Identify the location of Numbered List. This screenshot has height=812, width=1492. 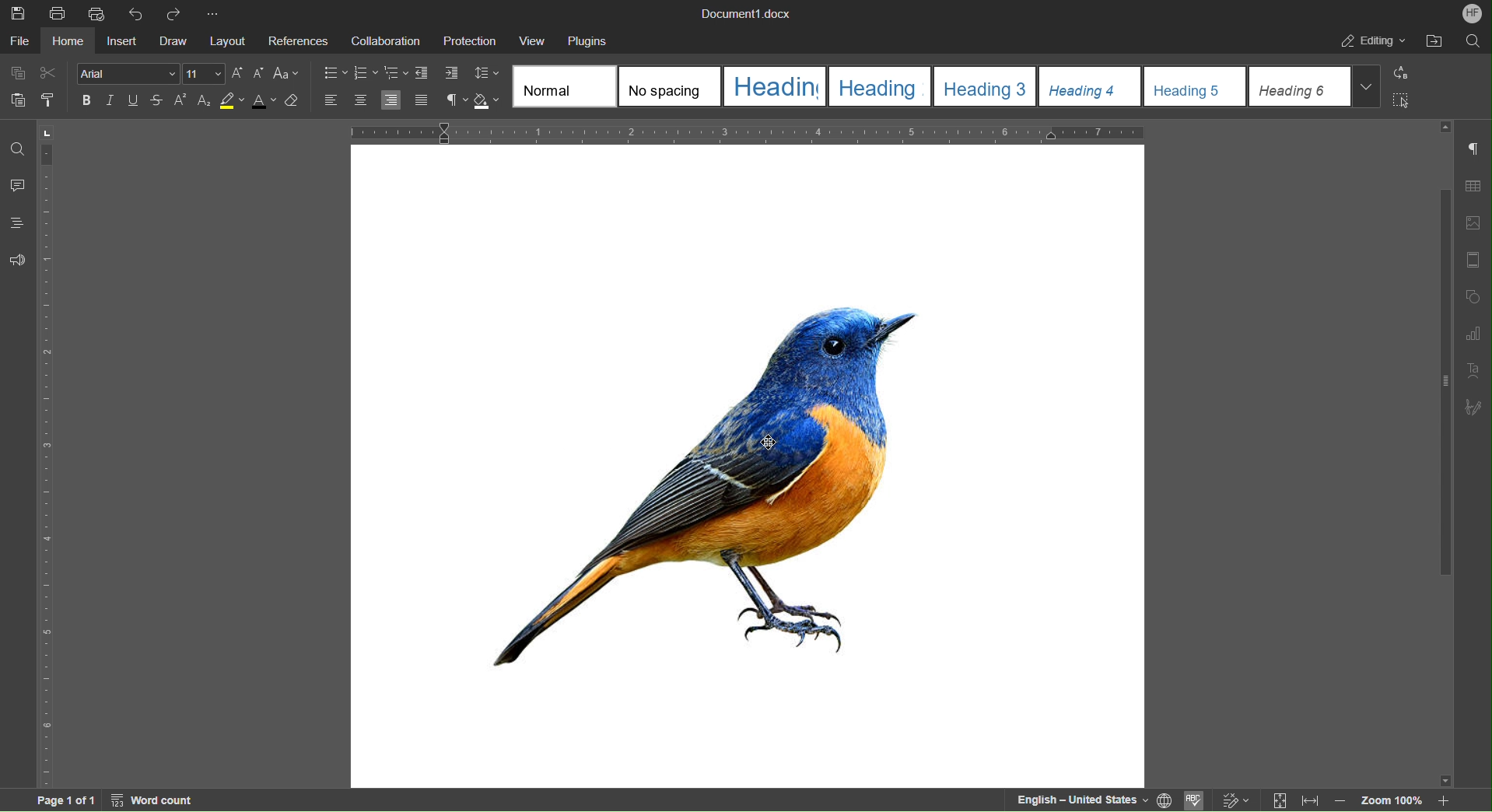
(366, 72).